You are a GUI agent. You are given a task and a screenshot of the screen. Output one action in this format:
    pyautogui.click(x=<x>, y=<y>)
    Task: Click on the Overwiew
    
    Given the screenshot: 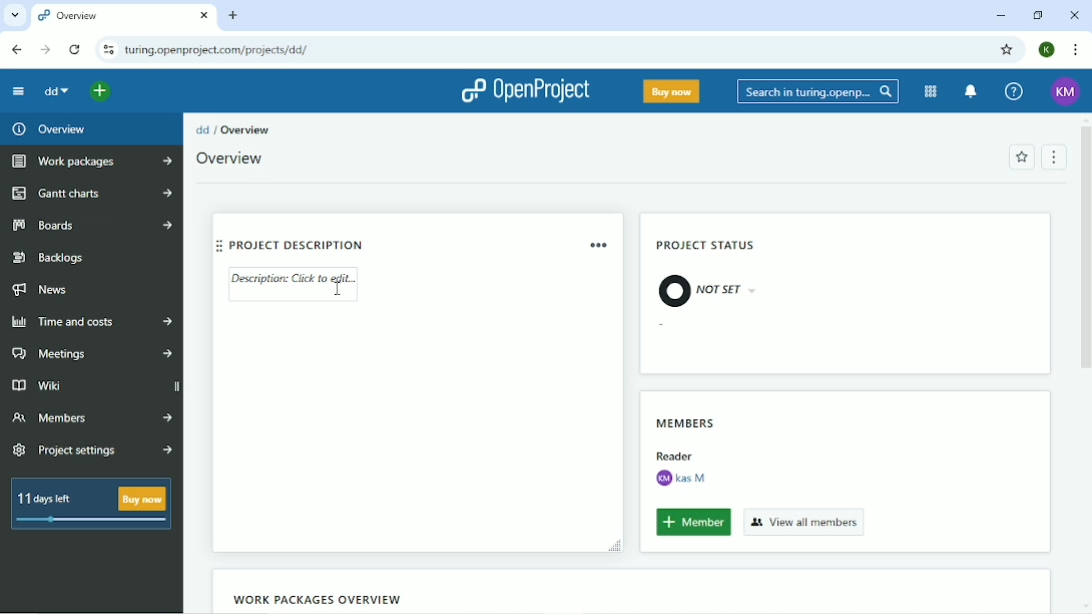 What is the action you would take?
    pyautogui.click(x=236, y=159)
    